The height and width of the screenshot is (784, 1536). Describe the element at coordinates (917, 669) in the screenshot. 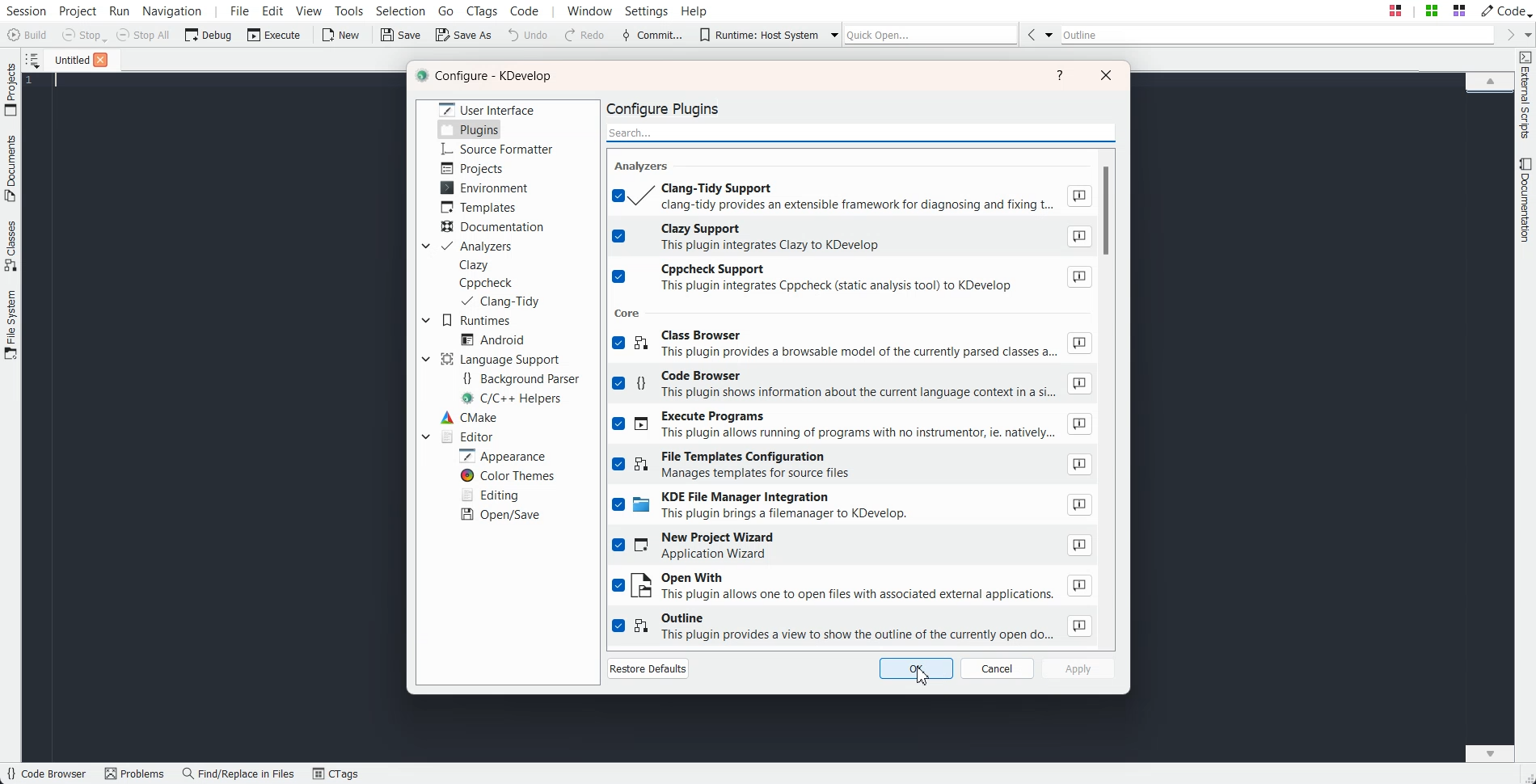

I see `OK` at that location.